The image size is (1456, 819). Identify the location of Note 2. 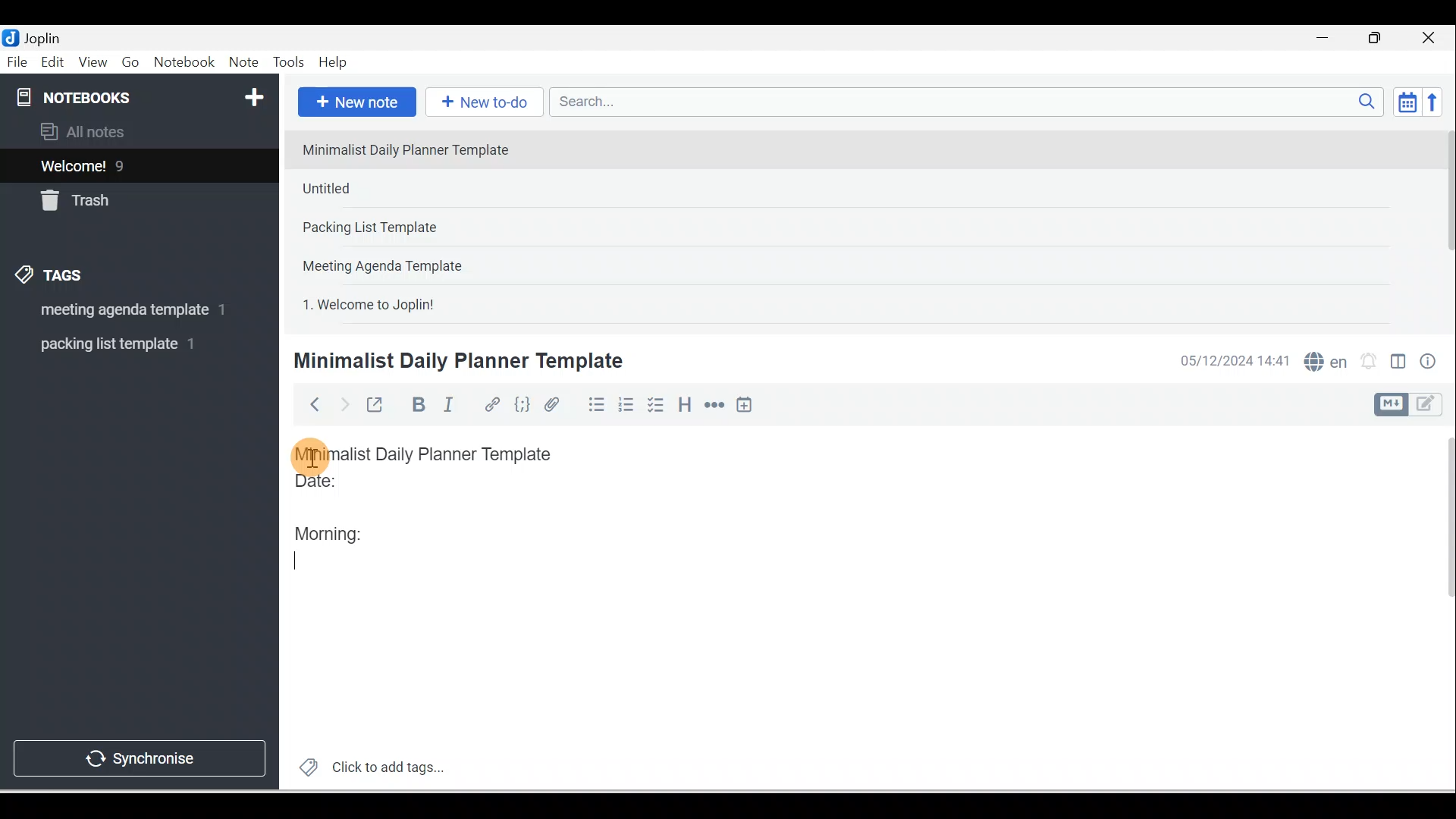
(401, 188).